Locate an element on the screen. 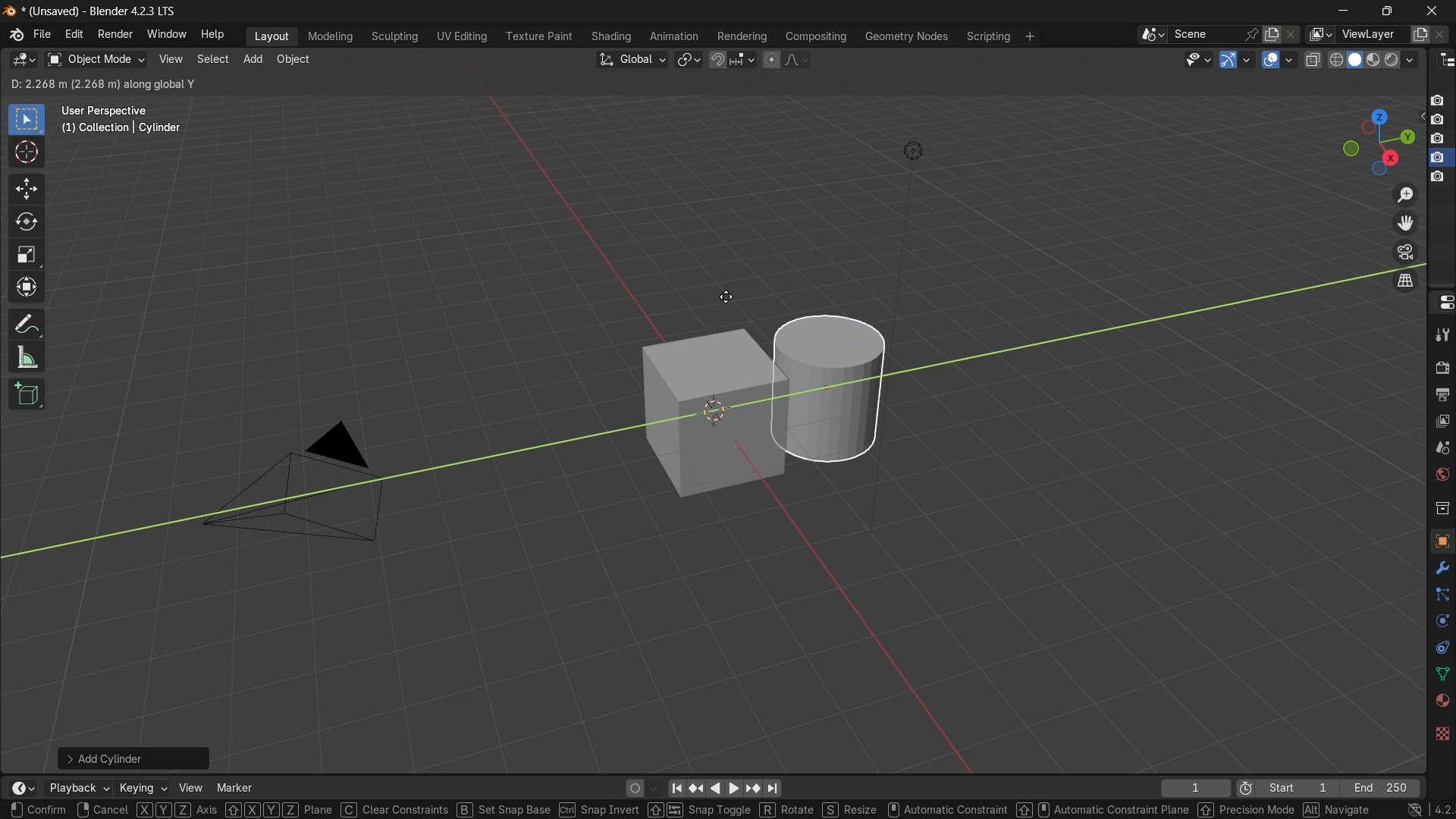 This screenshot has height=819, width=1456. uv editing menu is located at coordinates (463, 37).